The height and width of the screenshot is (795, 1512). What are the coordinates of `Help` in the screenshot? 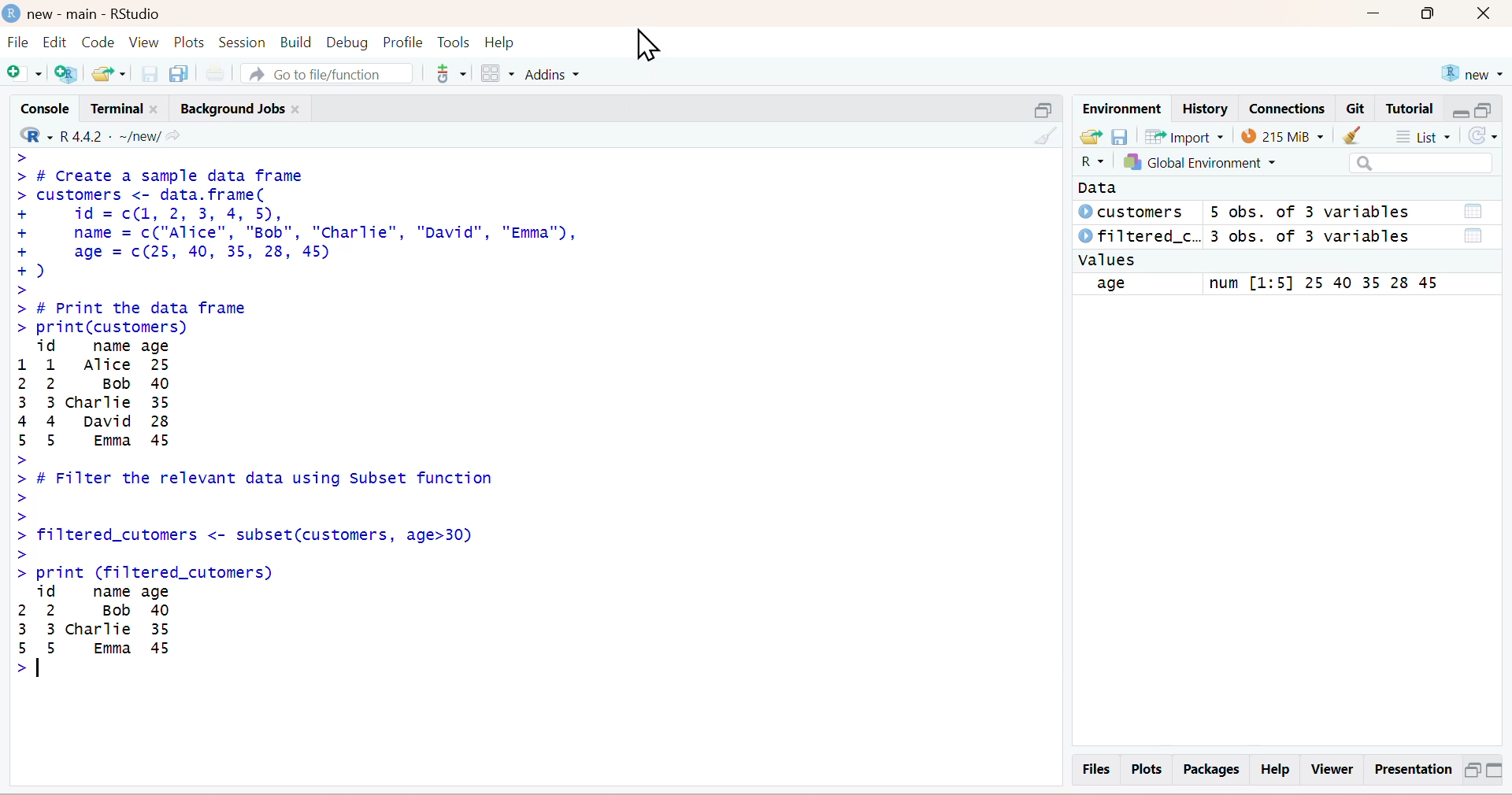 It's located at (513, 42).